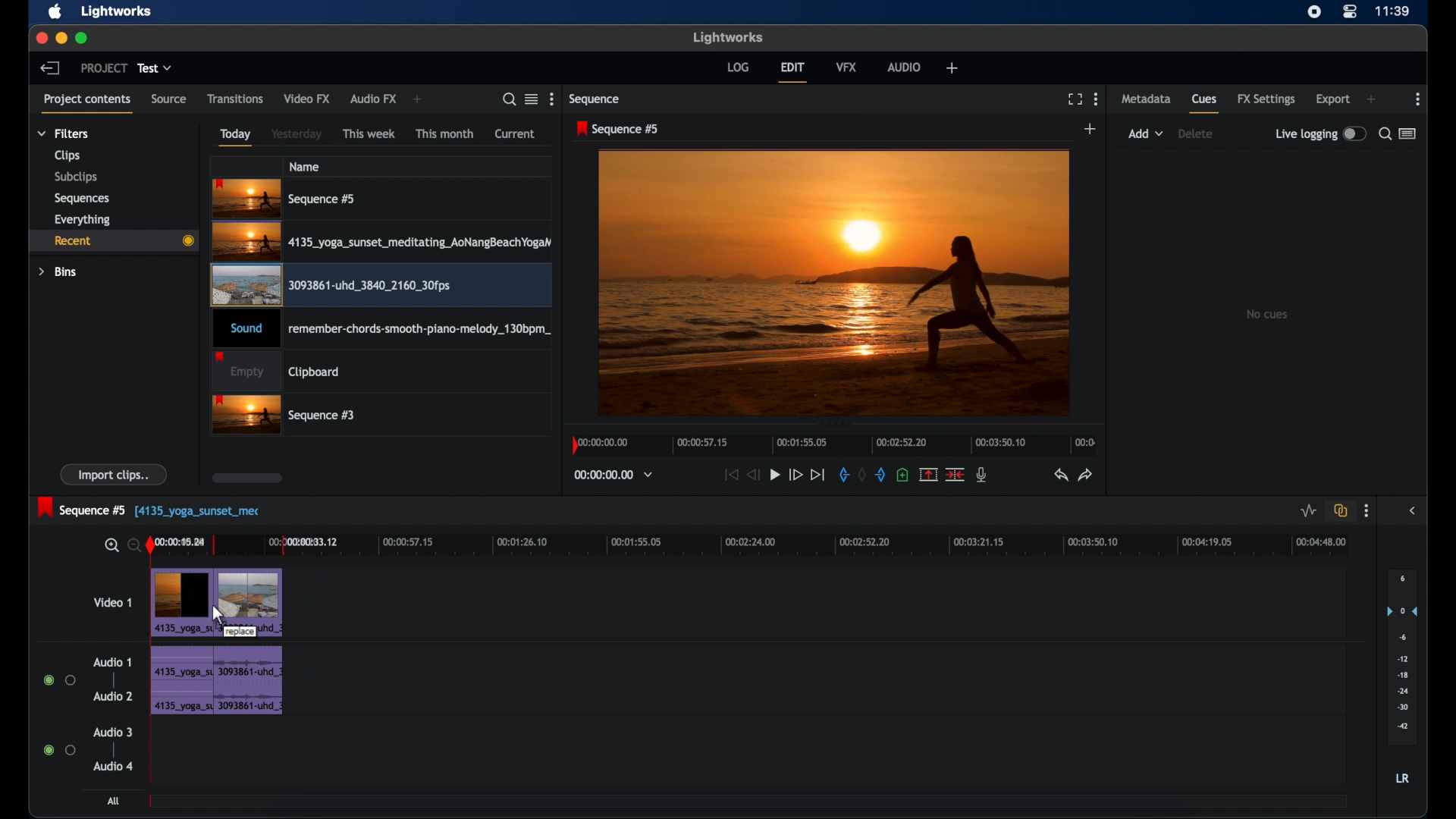 The height and width of the screenshot is (819, 1456). What do you see at coordinates (516, 133) in the screenshot?
I see `current` at bounding box center [516, 133].